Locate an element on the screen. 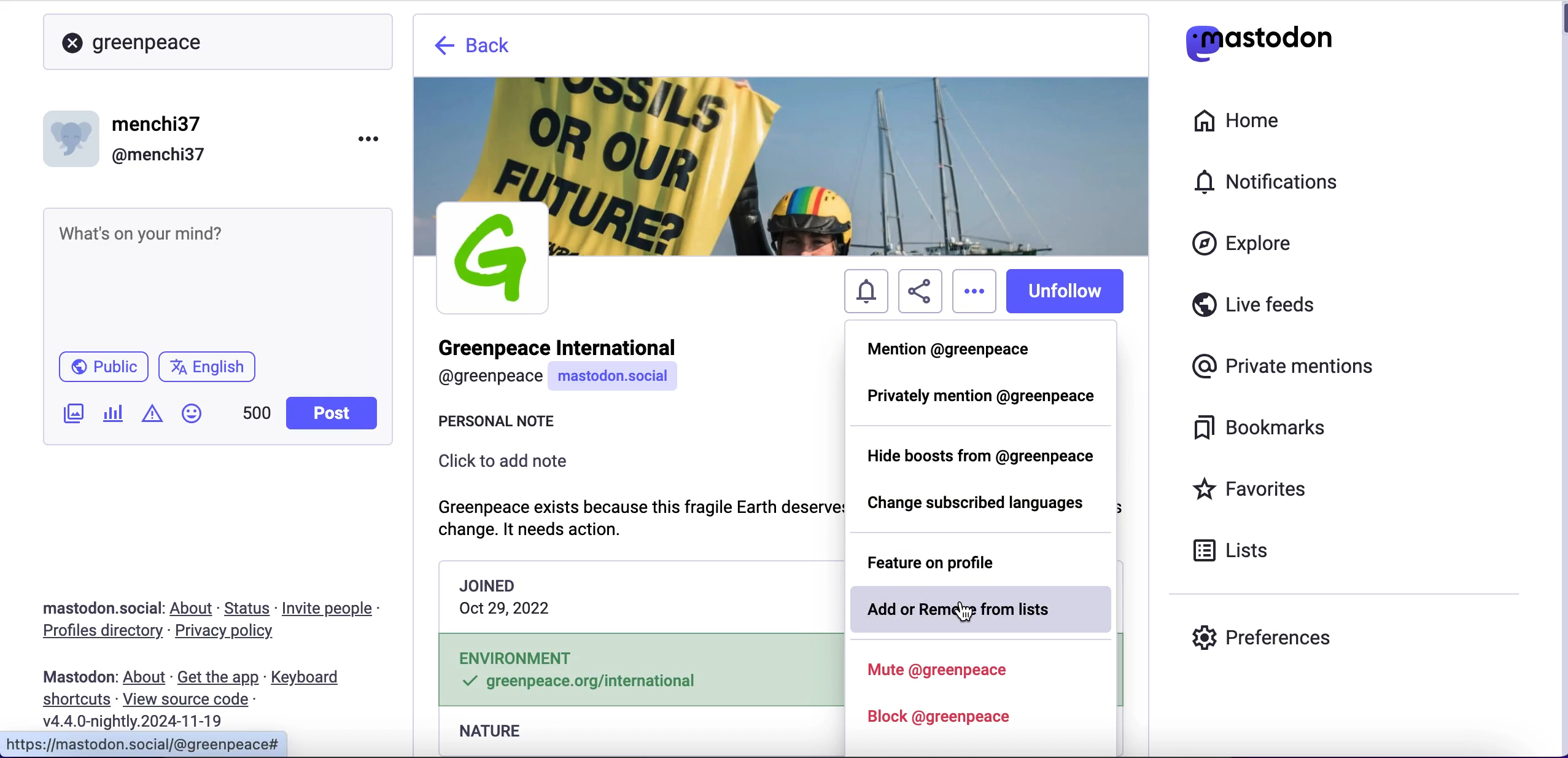 This screenshot has height=758, width=1568. options is located at coordinates (973, 290).